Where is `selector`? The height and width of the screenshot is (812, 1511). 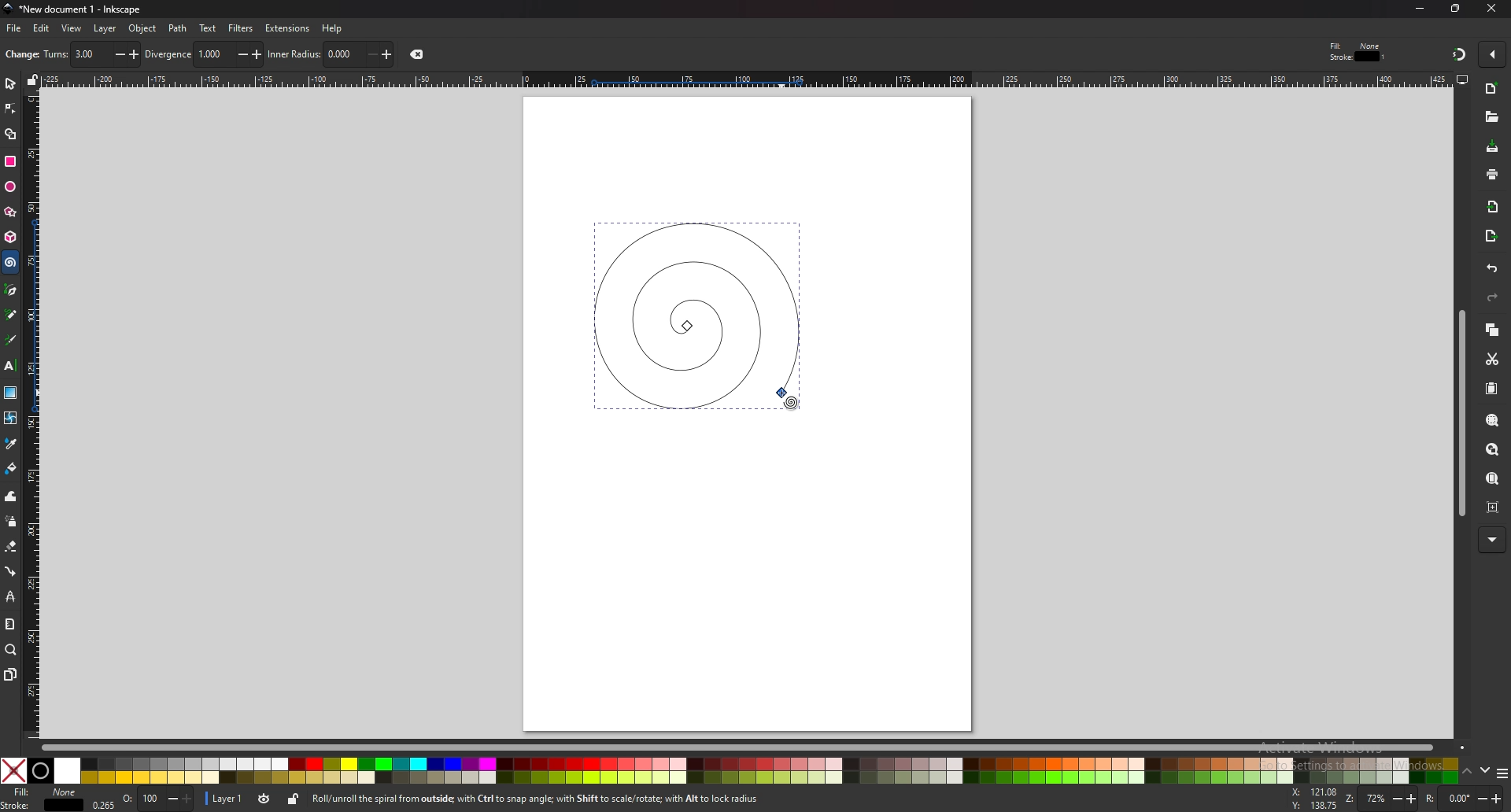 selector is located at coordinates (10, 84).